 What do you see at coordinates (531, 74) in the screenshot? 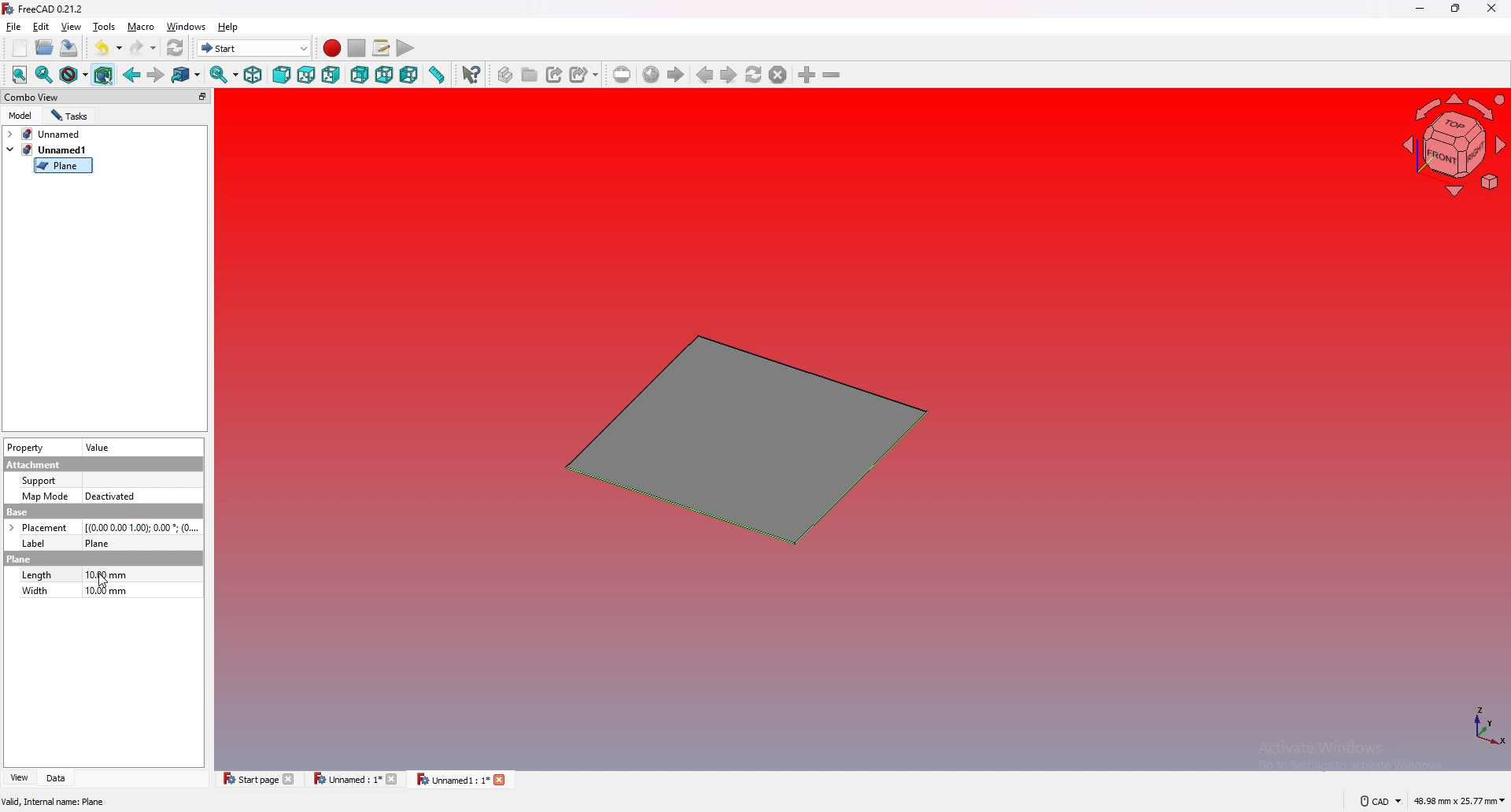
I see `create group` at bounding box center [531, 74].